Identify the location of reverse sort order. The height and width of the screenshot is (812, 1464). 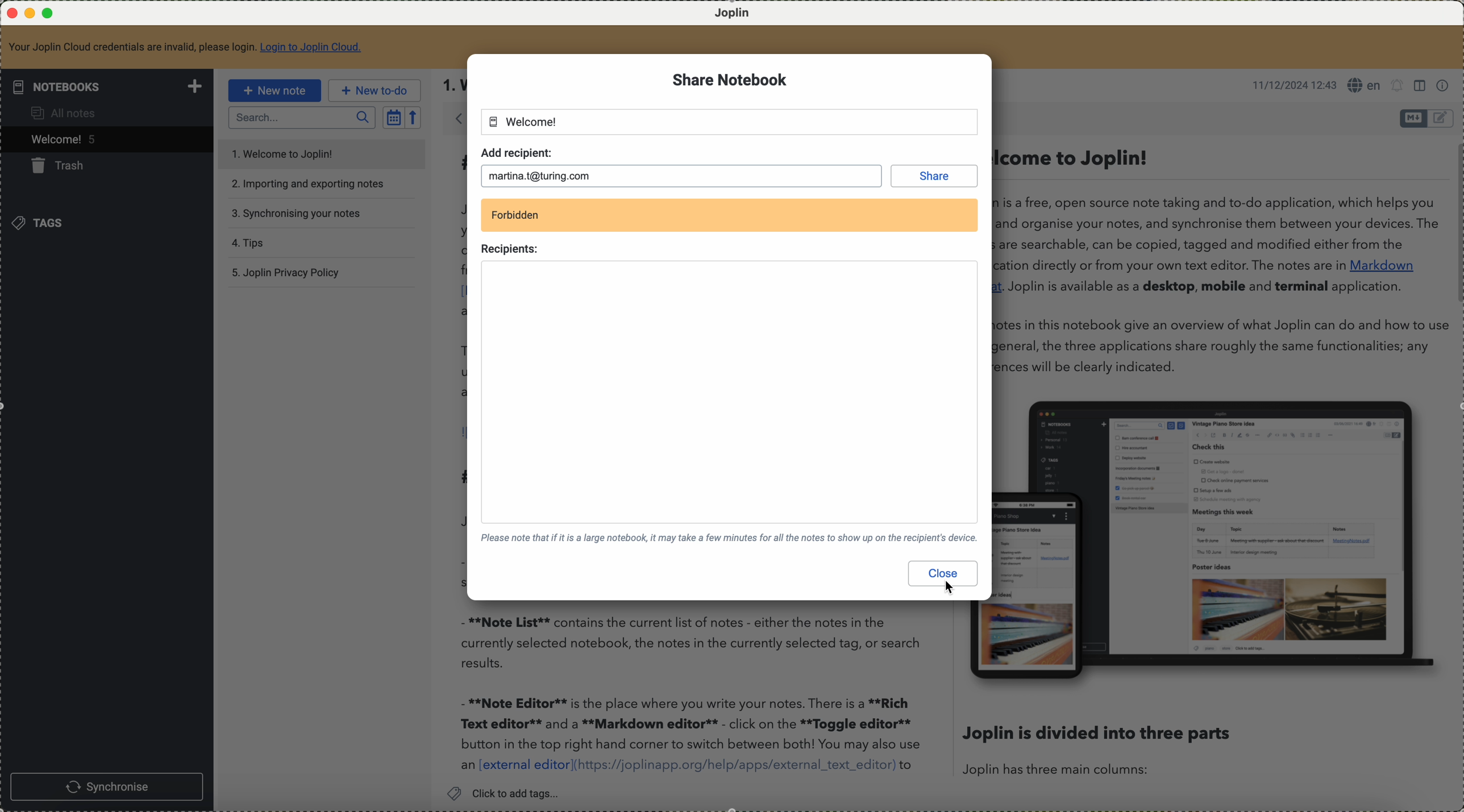
(412, 118).